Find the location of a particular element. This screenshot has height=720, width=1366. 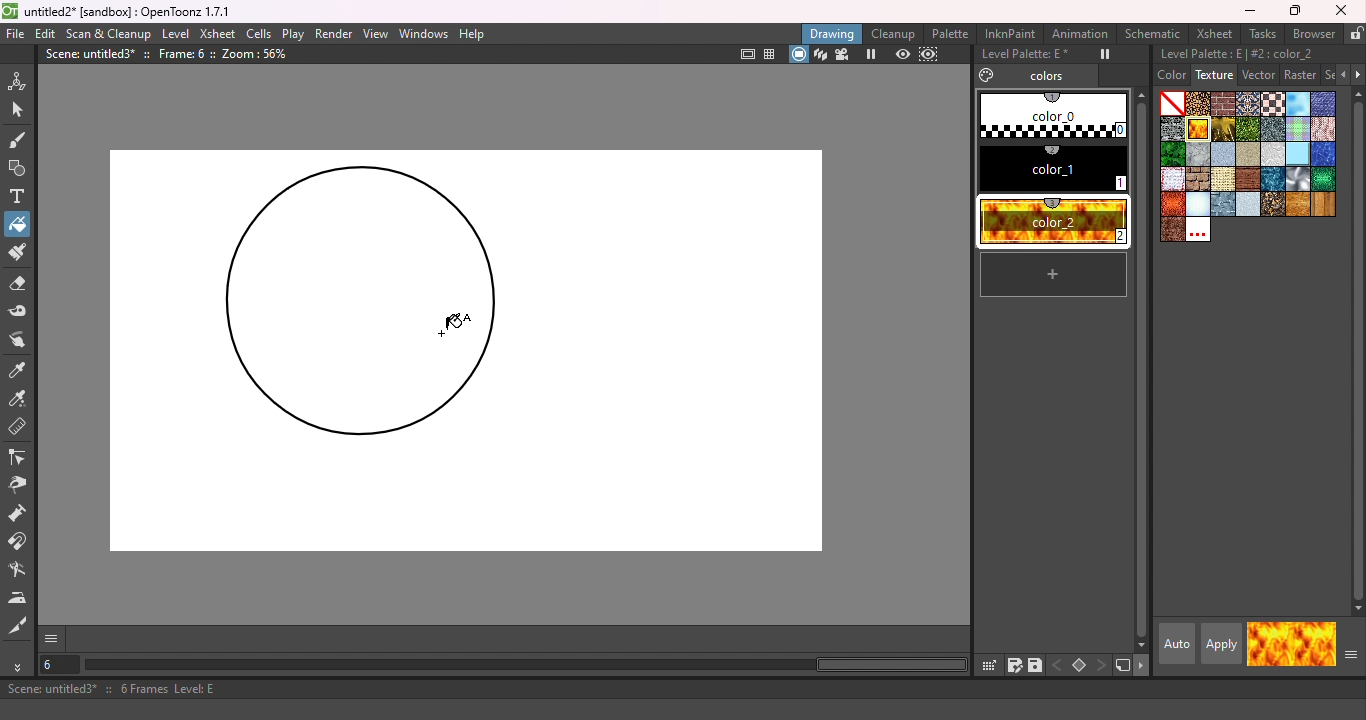

roughcanvas.bmp is located at coordinates (1224, 180).